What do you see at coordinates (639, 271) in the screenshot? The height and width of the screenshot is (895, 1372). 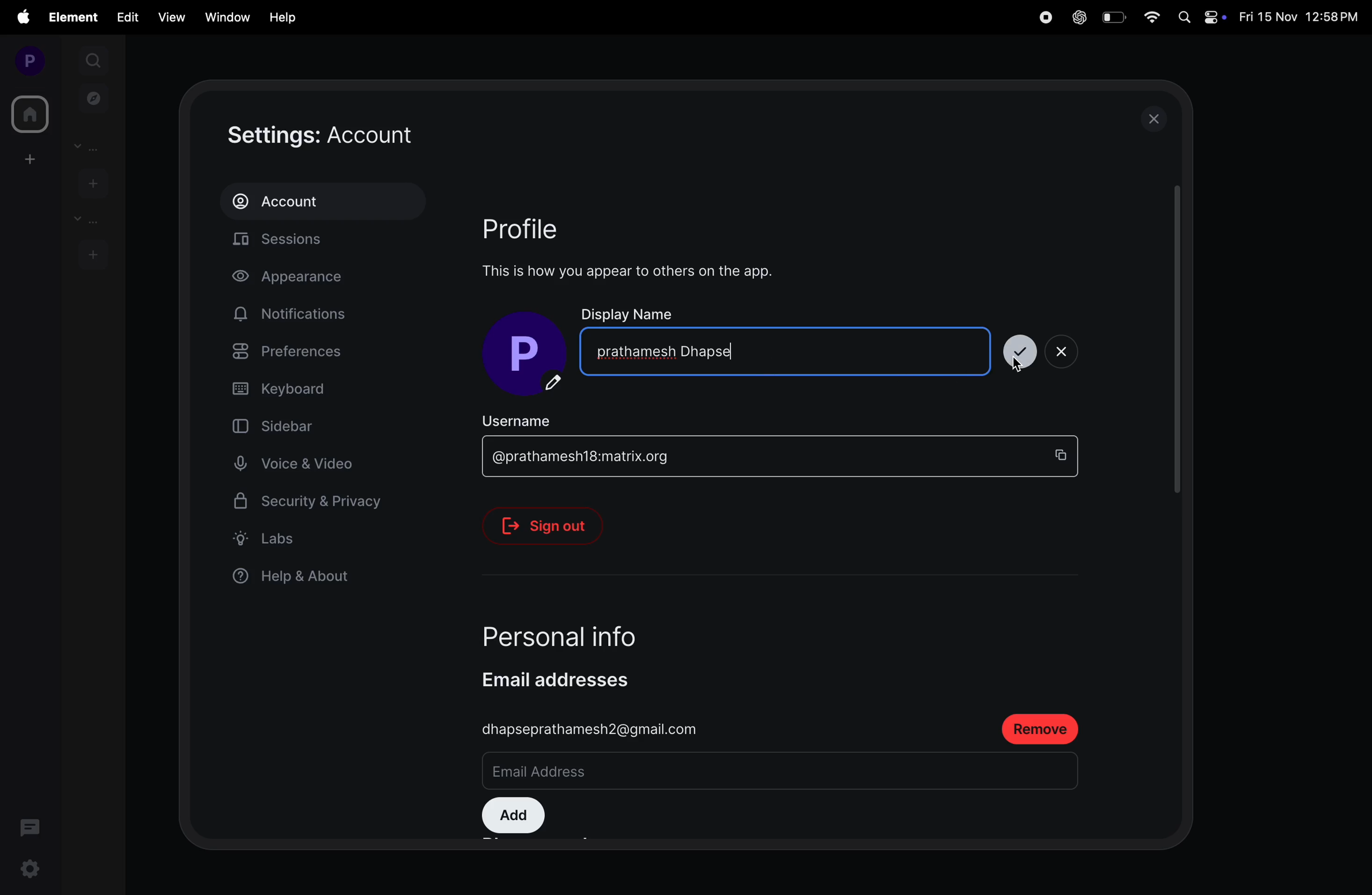 I see `this is how you appear on other app` at bounding box center [639, 271].